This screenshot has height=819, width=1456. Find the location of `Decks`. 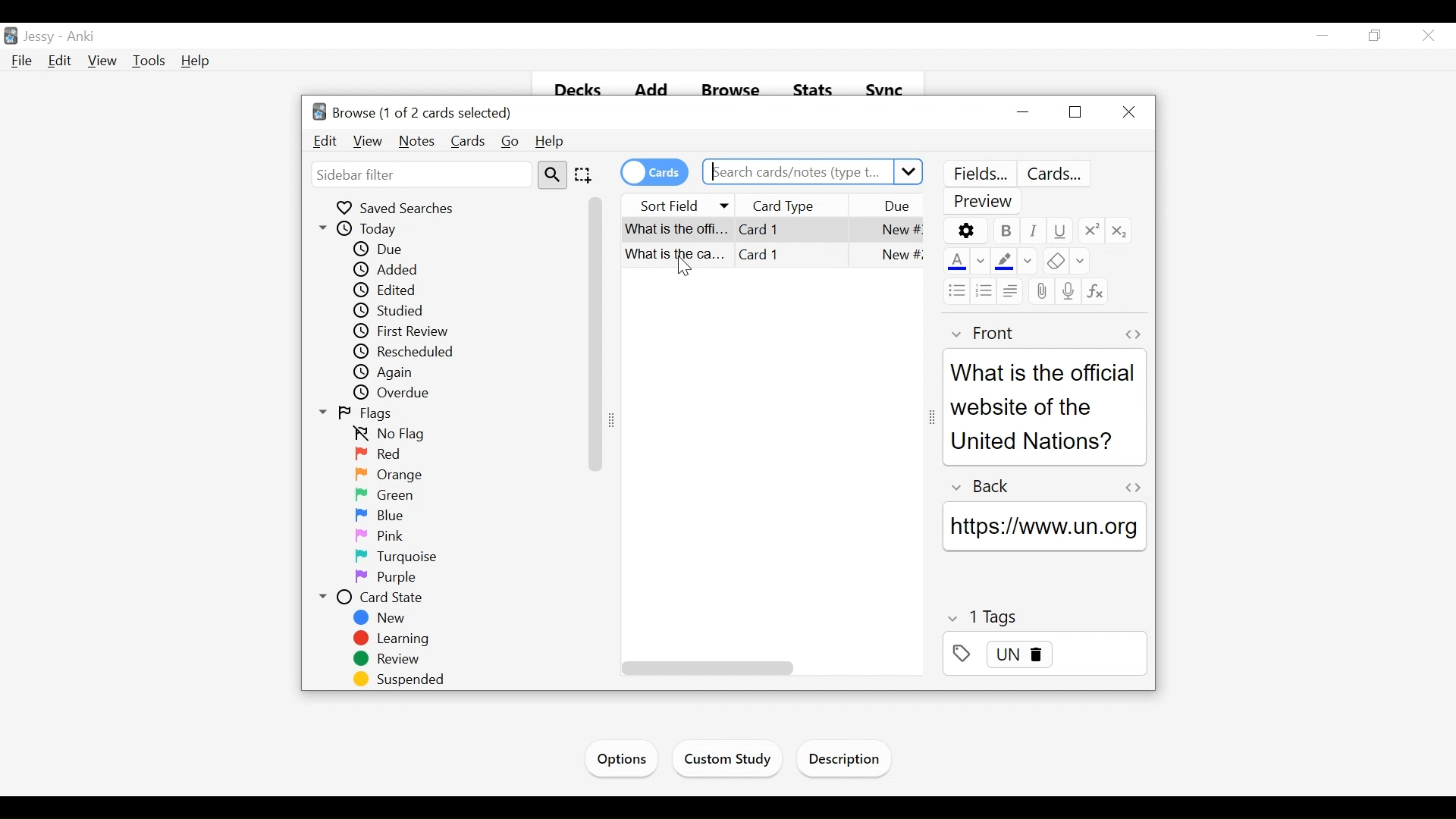

Decks is located at coordinates (571, 92).